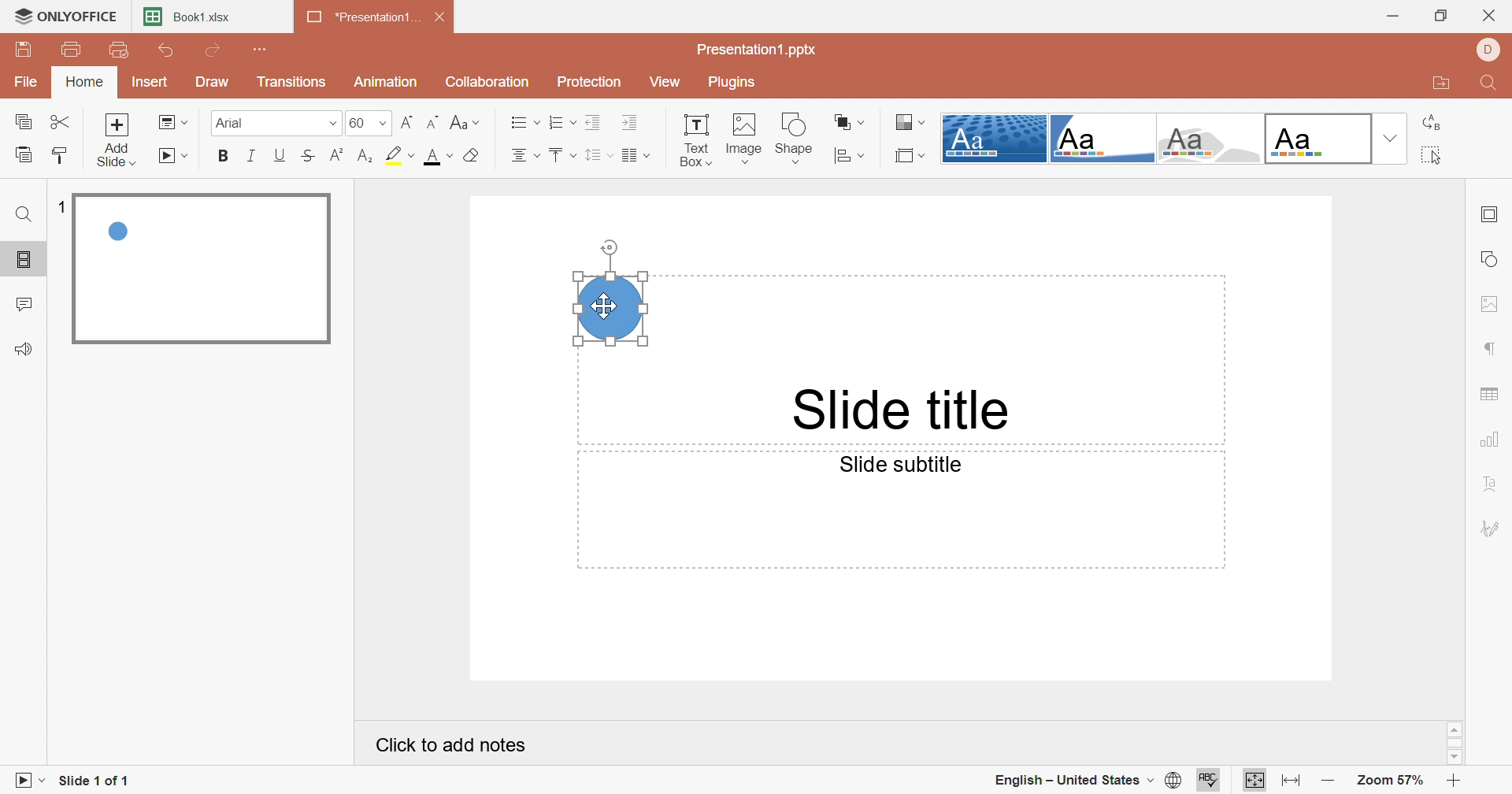  I want to click on Signature settings, so click(1491, 528).